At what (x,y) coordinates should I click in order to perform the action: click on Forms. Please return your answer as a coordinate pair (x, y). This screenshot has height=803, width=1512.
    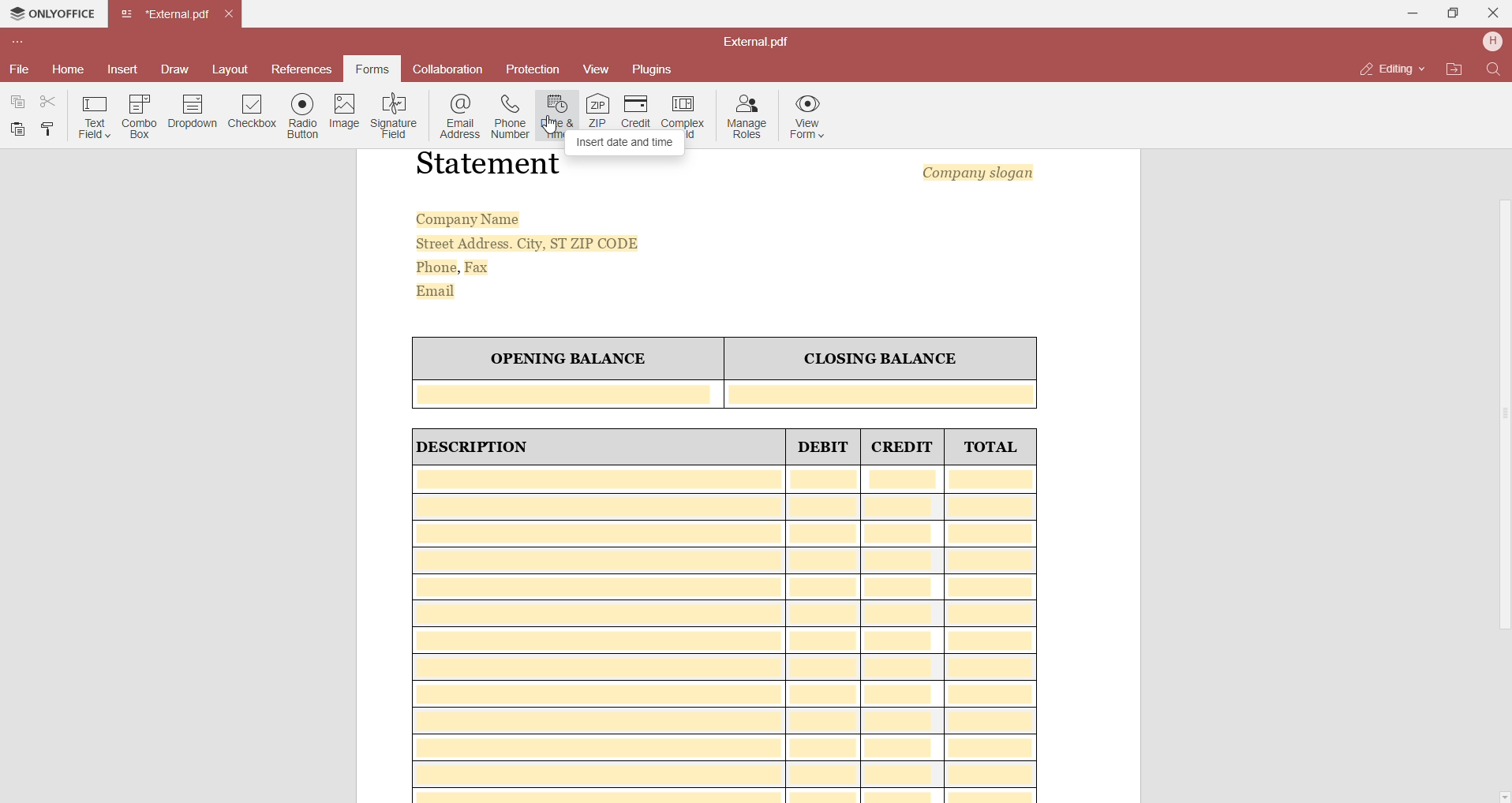
    Looking at the image, I should click on (372, 69).